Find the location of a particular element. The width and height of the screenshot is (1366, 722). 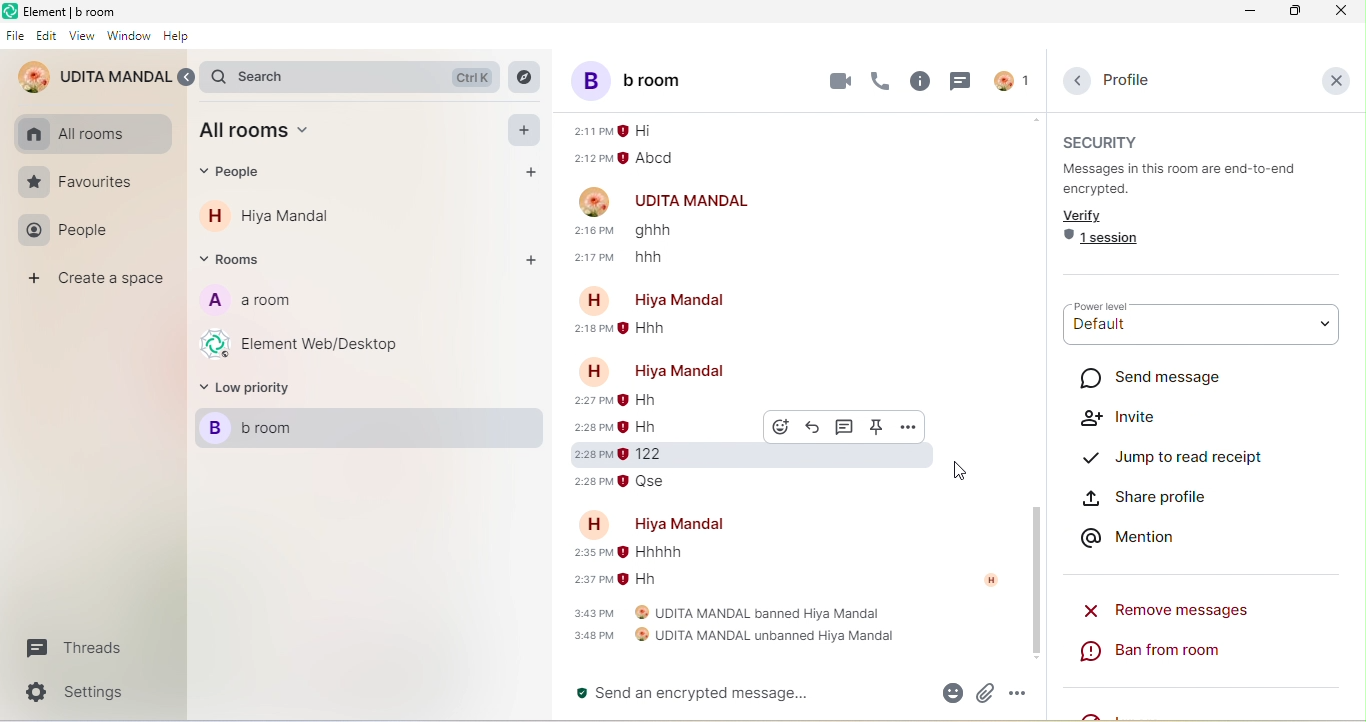

threads is located at coordinates (958, 80).